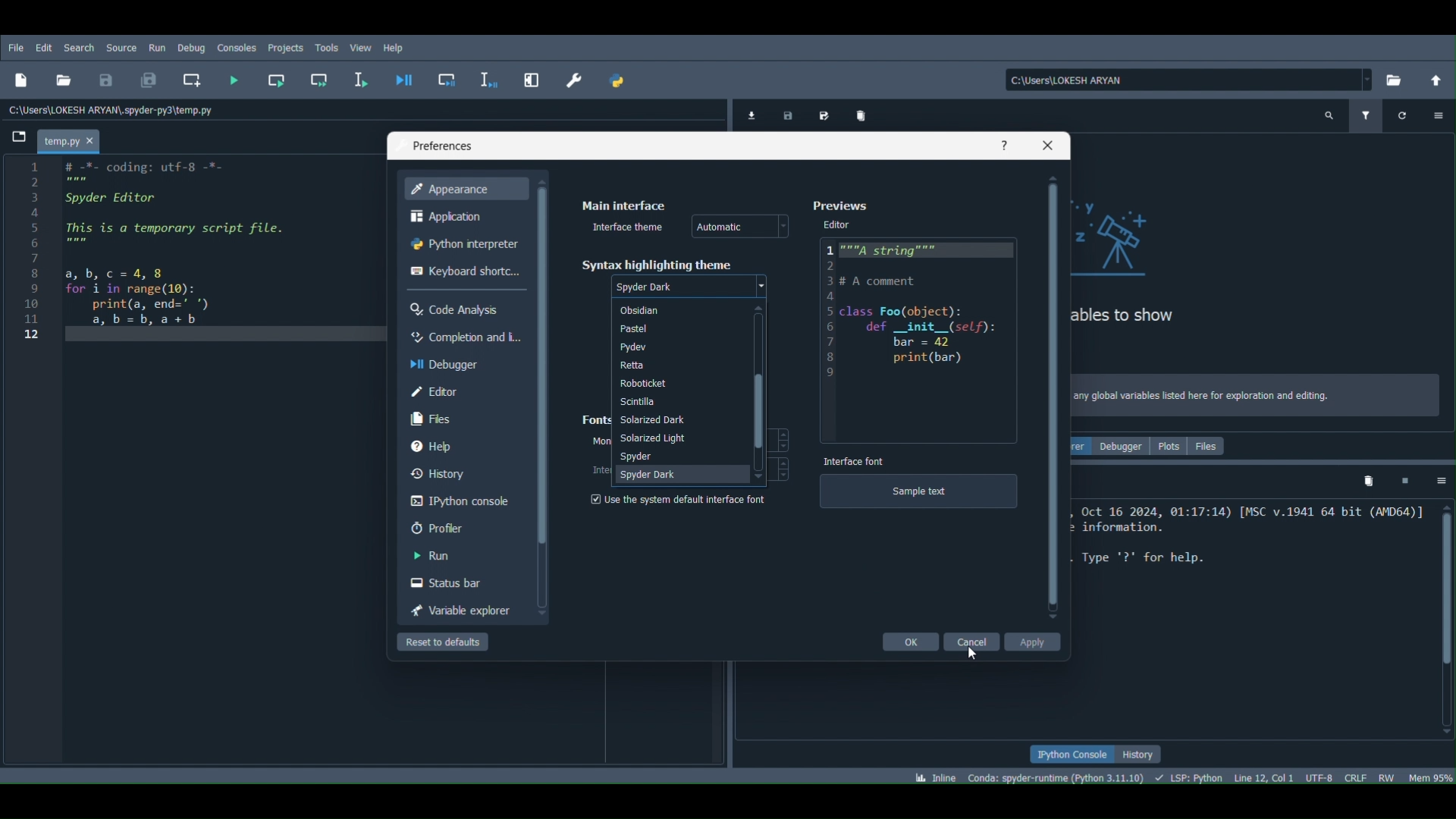 The width and height of the screenshot is (1456, 819). What do you see at coordinates (623, 201) in the screenshot?
I see `Main Interface` at bounding box center [623, 201].